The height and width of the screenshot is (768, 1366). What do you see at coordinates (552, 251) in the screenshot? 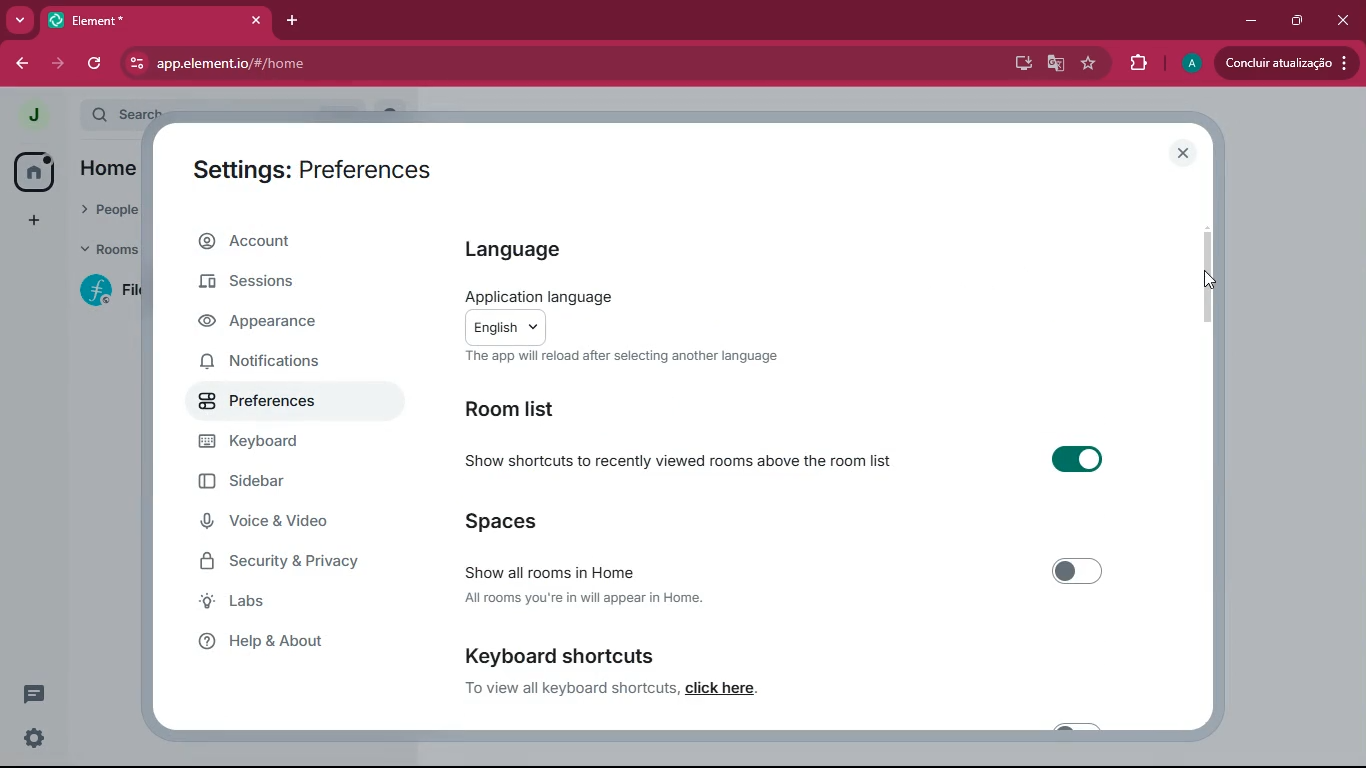
I see `language` at bounding box center [552, 251].